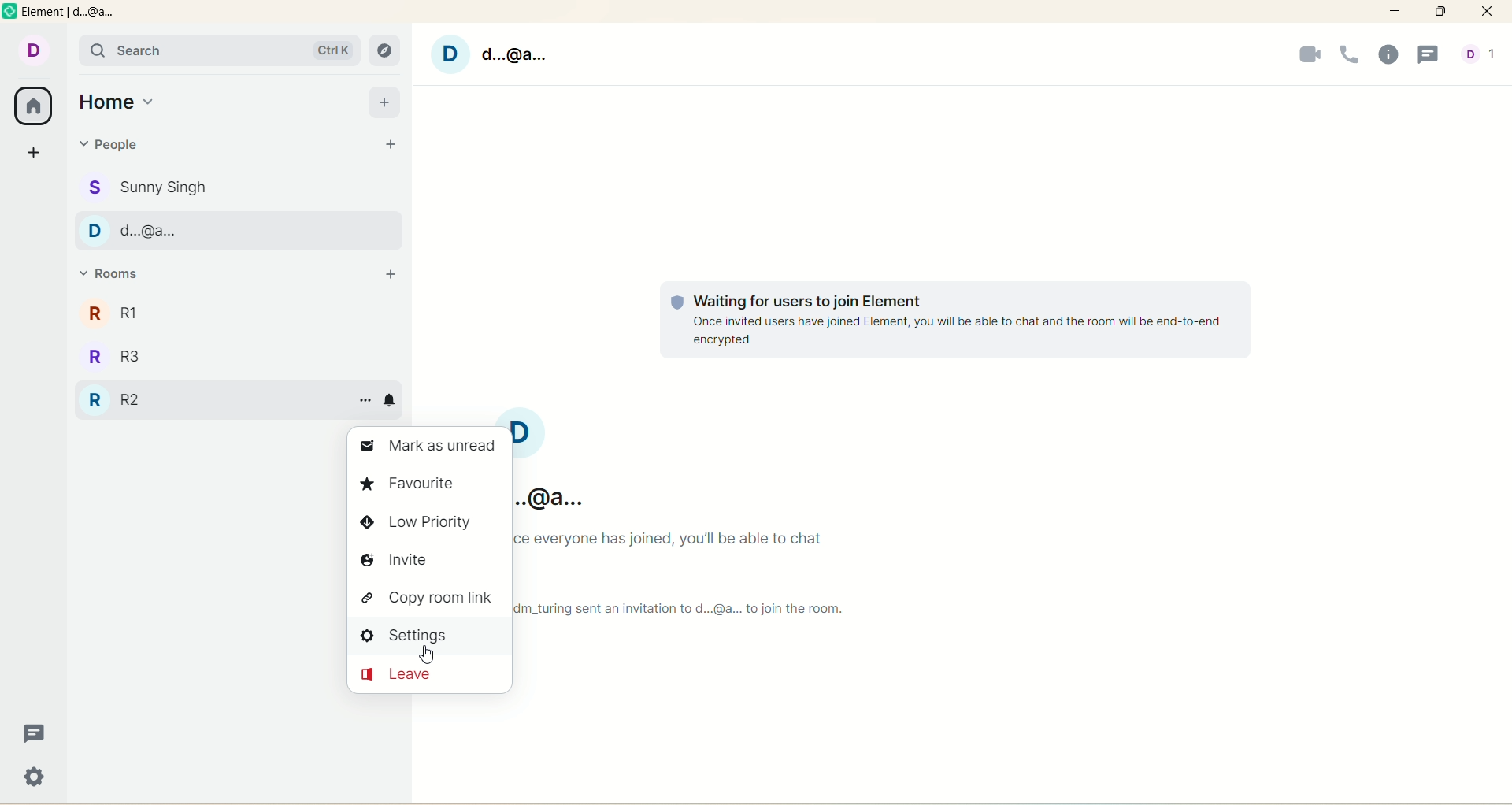 This screenshot has height=805, width=1512. I want to click on leave, so click(432, 673).